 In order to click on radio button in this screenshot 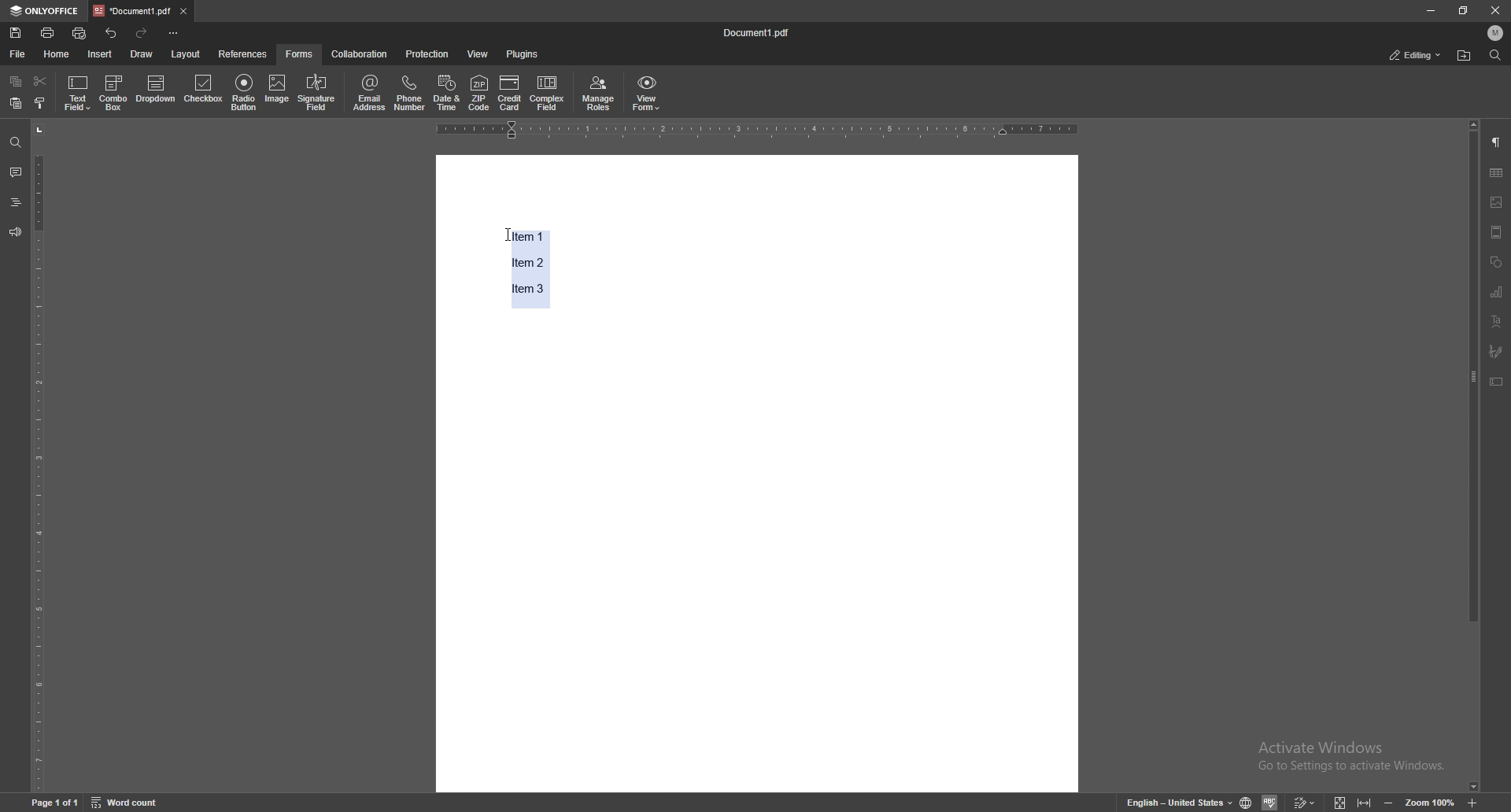, I will do `click(246, 93)`.